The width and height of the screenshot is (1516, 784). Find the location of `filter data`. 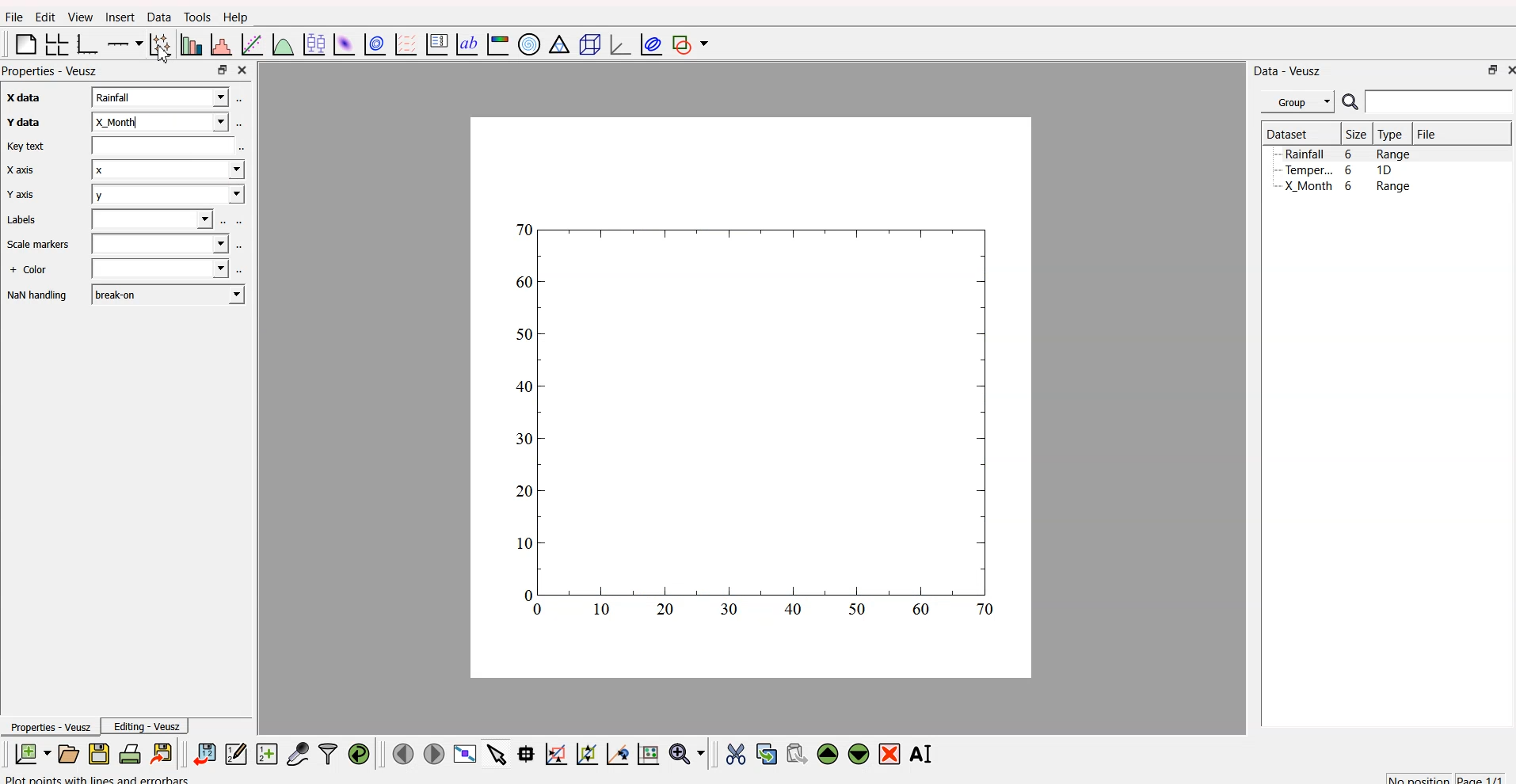

filter data is located at coordinates (328, 752).